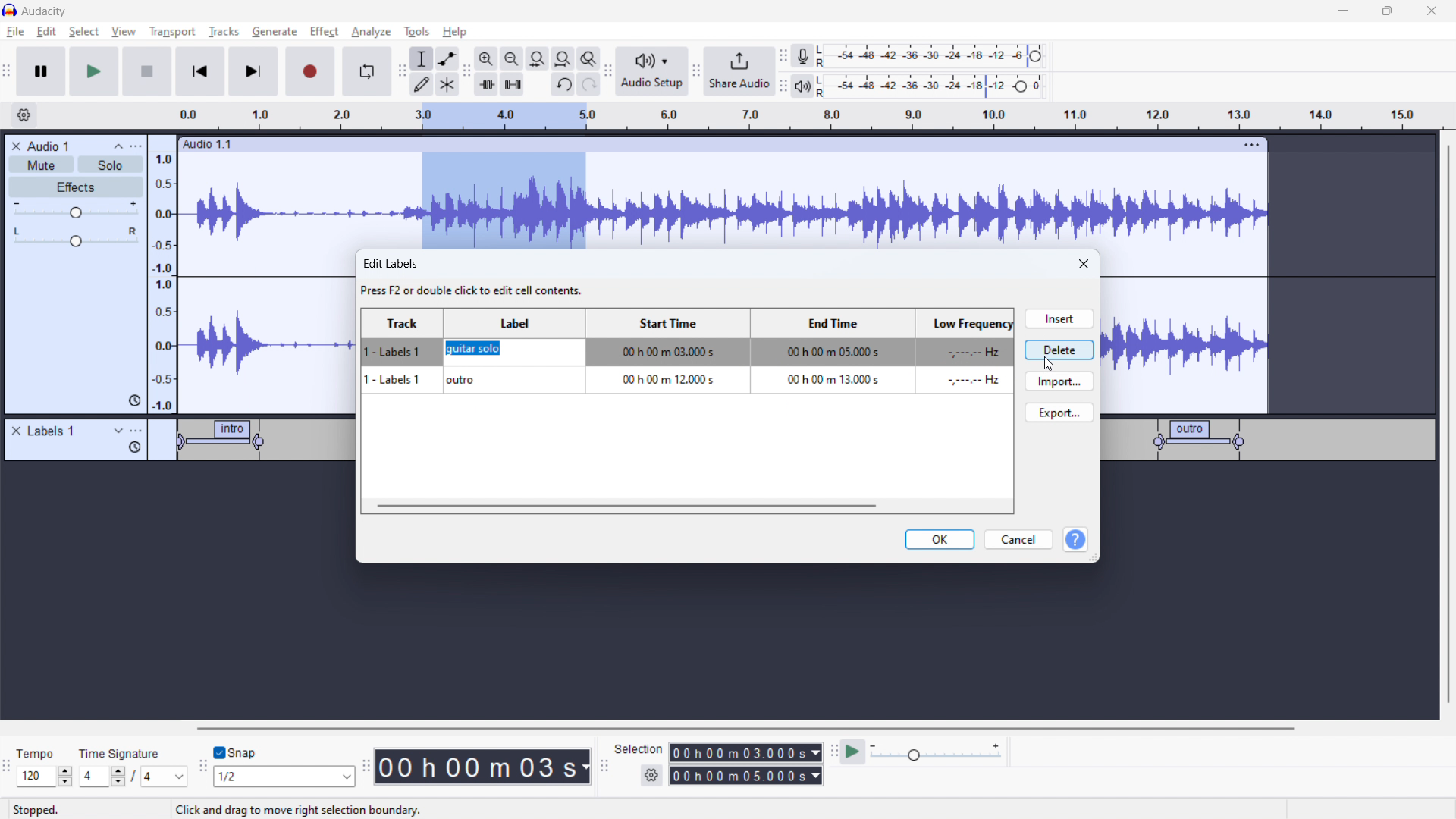 The width and height of the screenshot is (1456, 819). I want to click on Timeline, so click(1267, 512).